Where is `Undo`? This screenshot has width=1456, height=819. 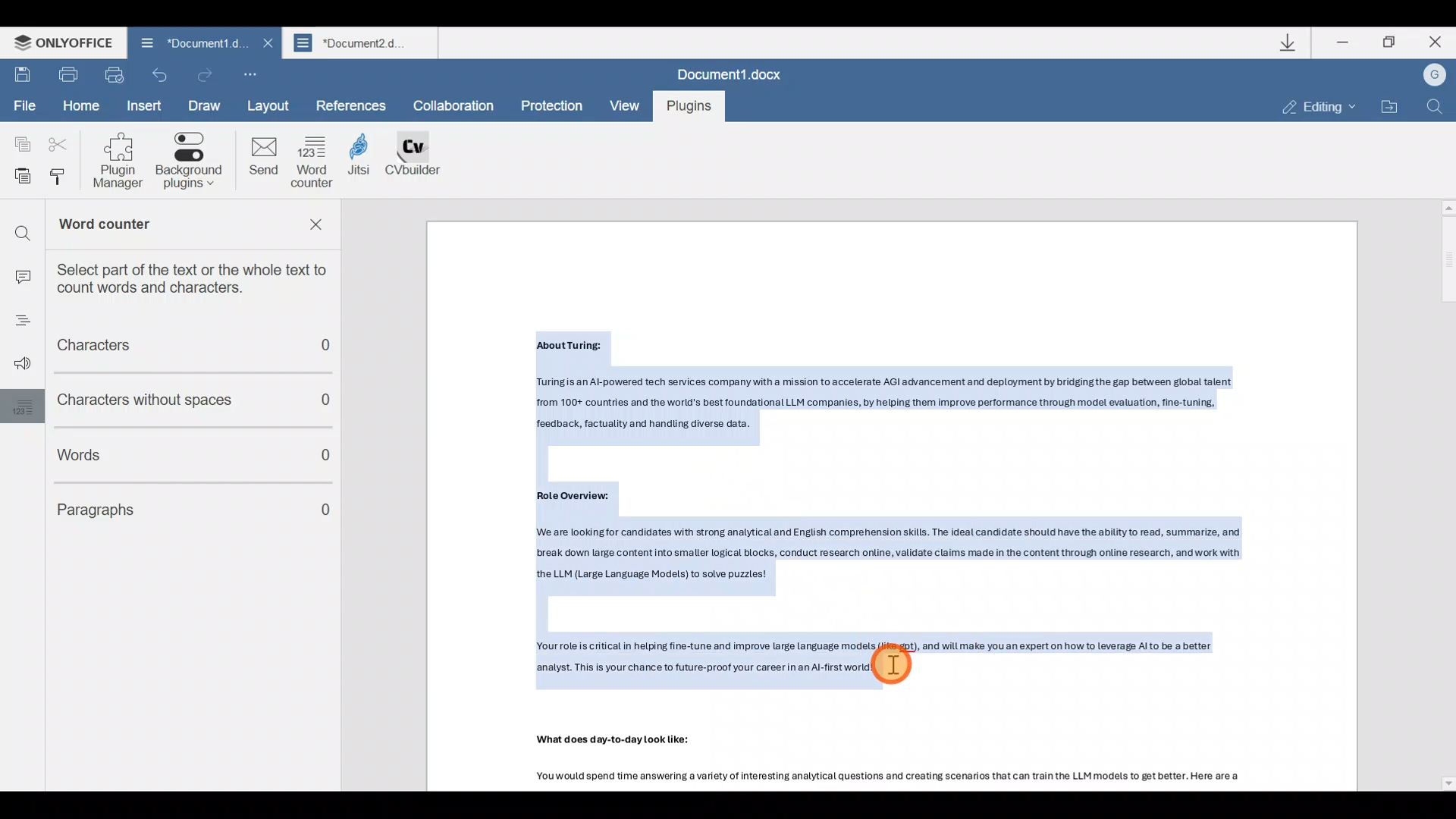
Undo is located at coordinates (159, 76).